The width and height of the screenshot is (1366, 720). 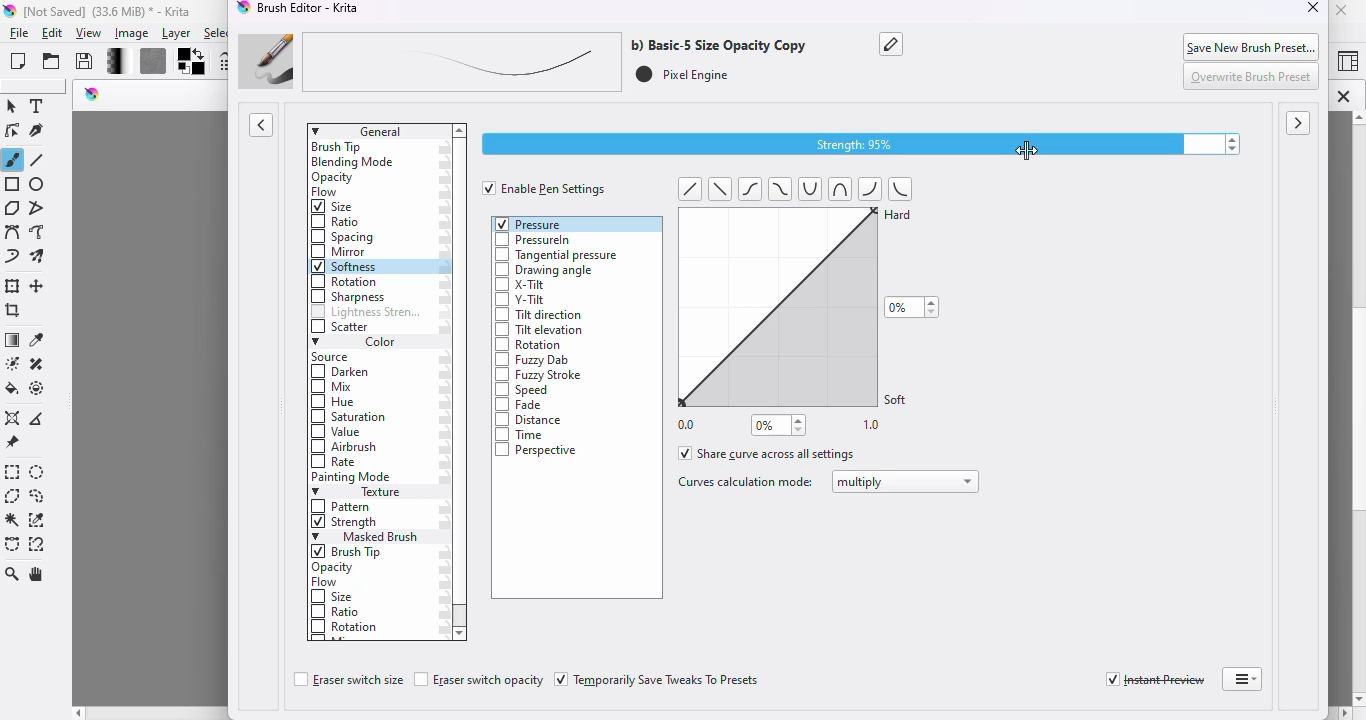 What do you see at coordinates (37, 544) in the screenshot?
I see `magnetic curve selection tool` at bounding box center [37, 544].